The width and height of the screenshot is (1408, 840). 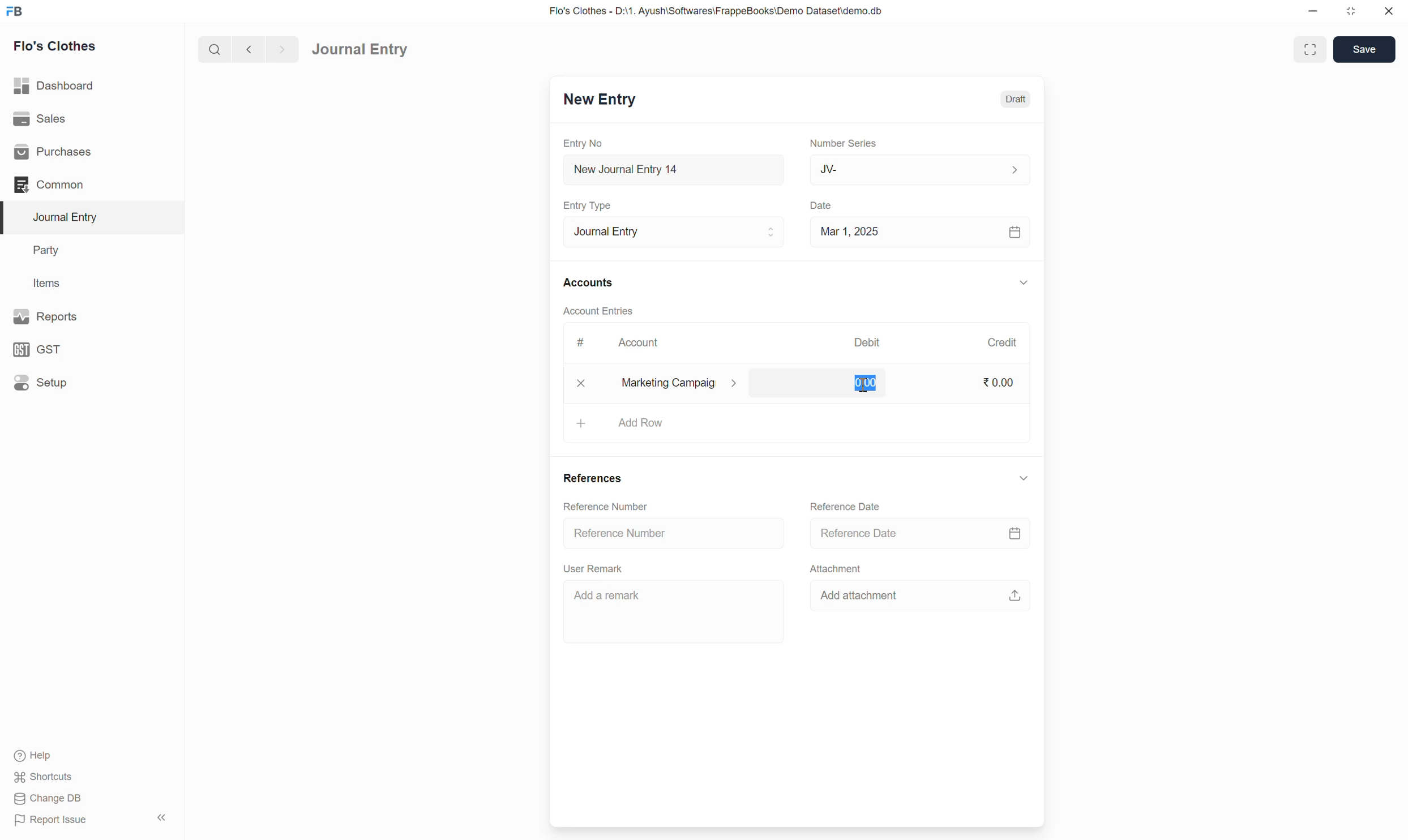 What do you see at coordinates (1389, 11) in the screenshot?
I see `close` at bounding box center [1389, 11].